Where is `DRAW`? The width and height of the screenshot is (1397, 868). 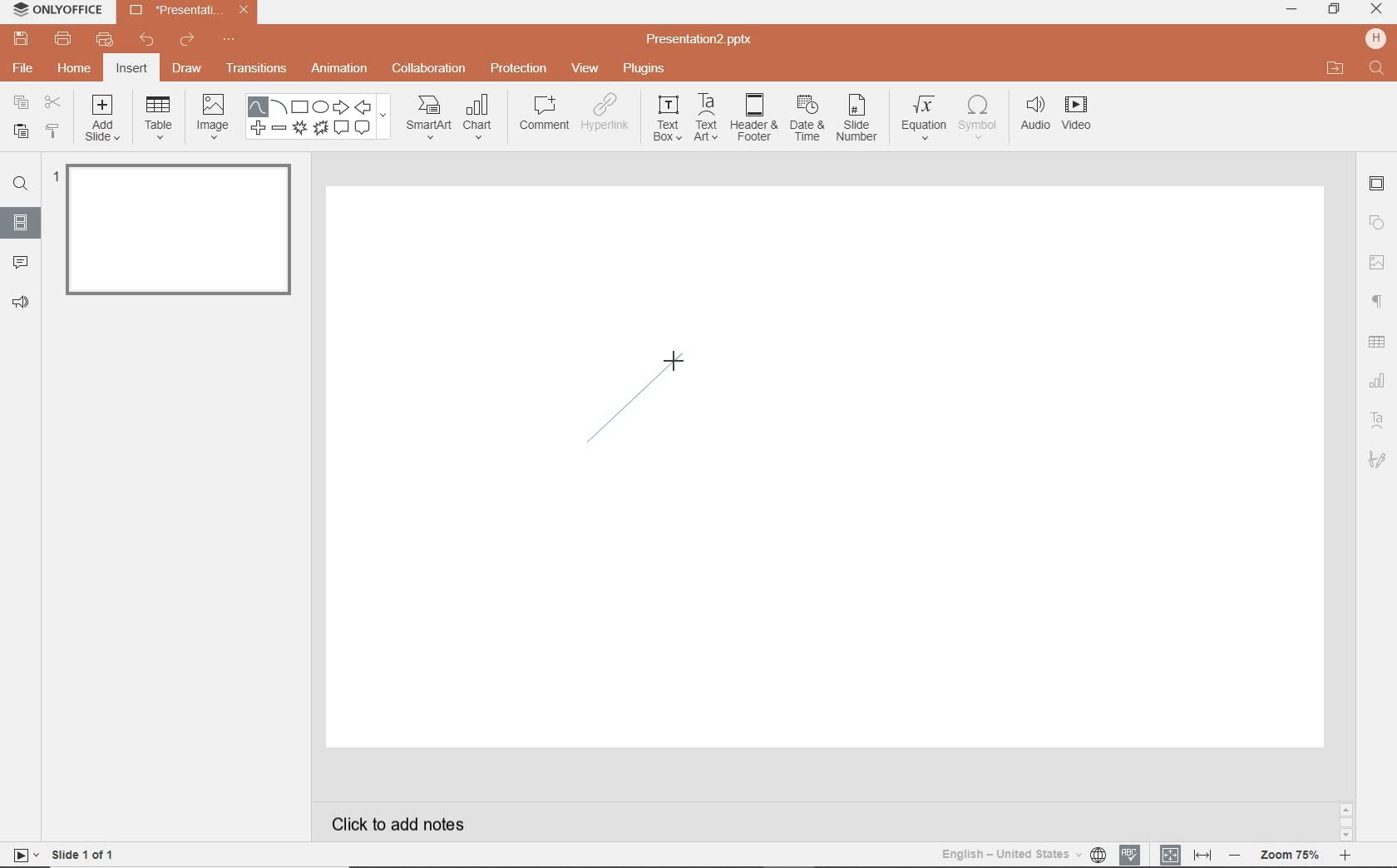
DRAW is located at coordinates (188, 70).